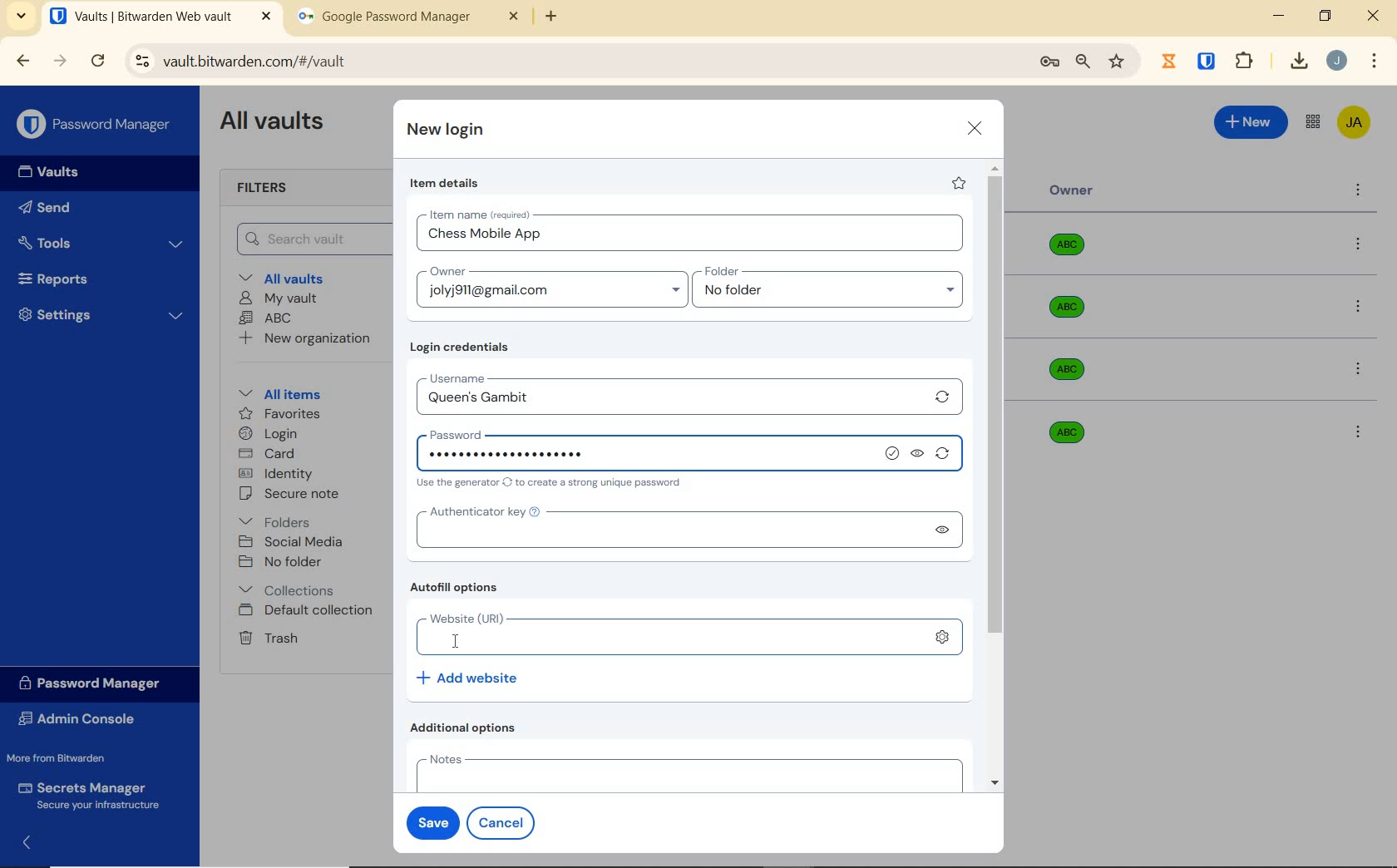 The height and width of the screenshot is (868, 1397). I want to click on New login, so click(447, 131).